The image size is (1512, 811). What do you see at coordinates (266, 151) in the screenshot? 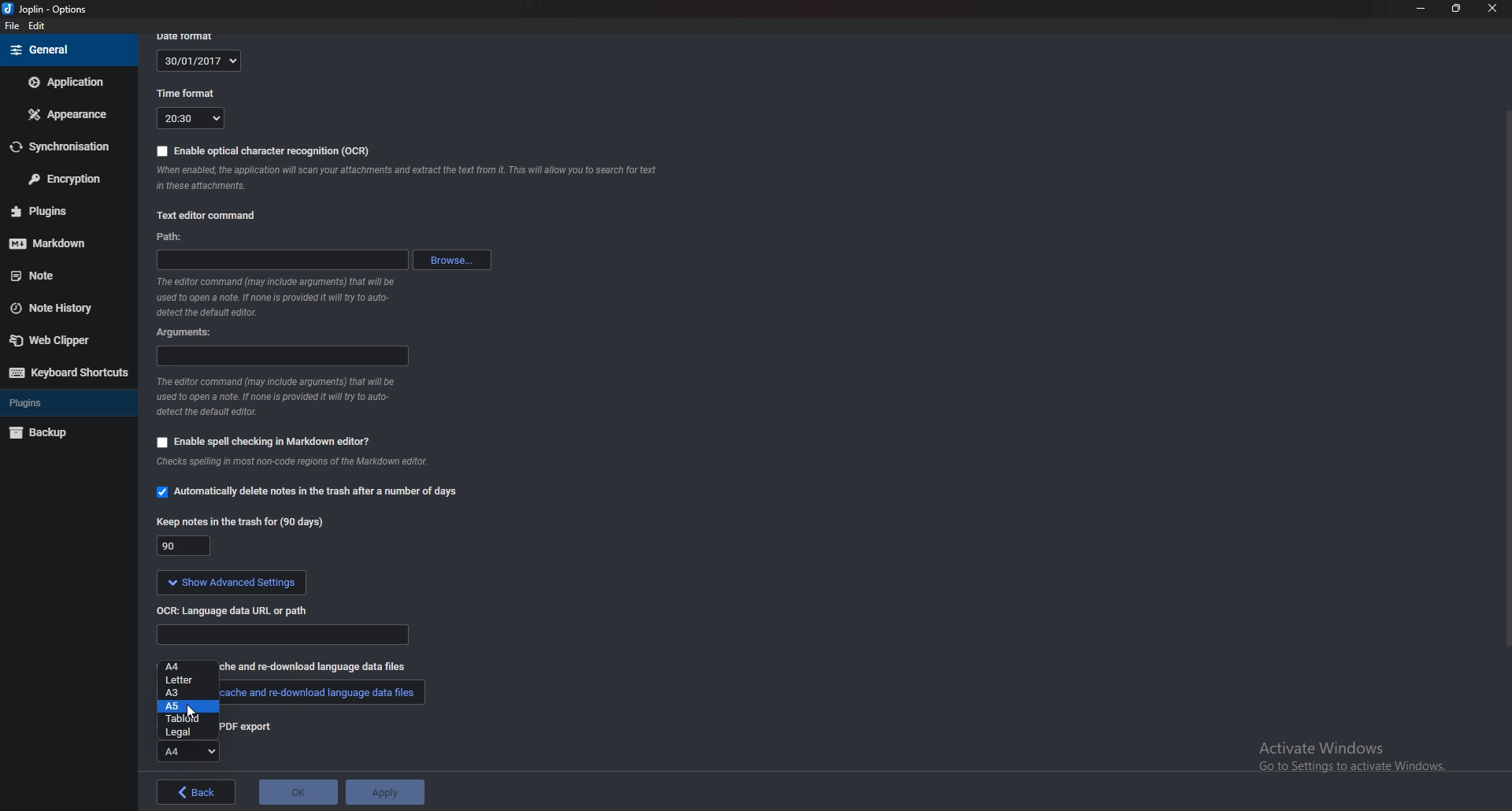
I see `enable OCR` at bounding box center [266, 151].